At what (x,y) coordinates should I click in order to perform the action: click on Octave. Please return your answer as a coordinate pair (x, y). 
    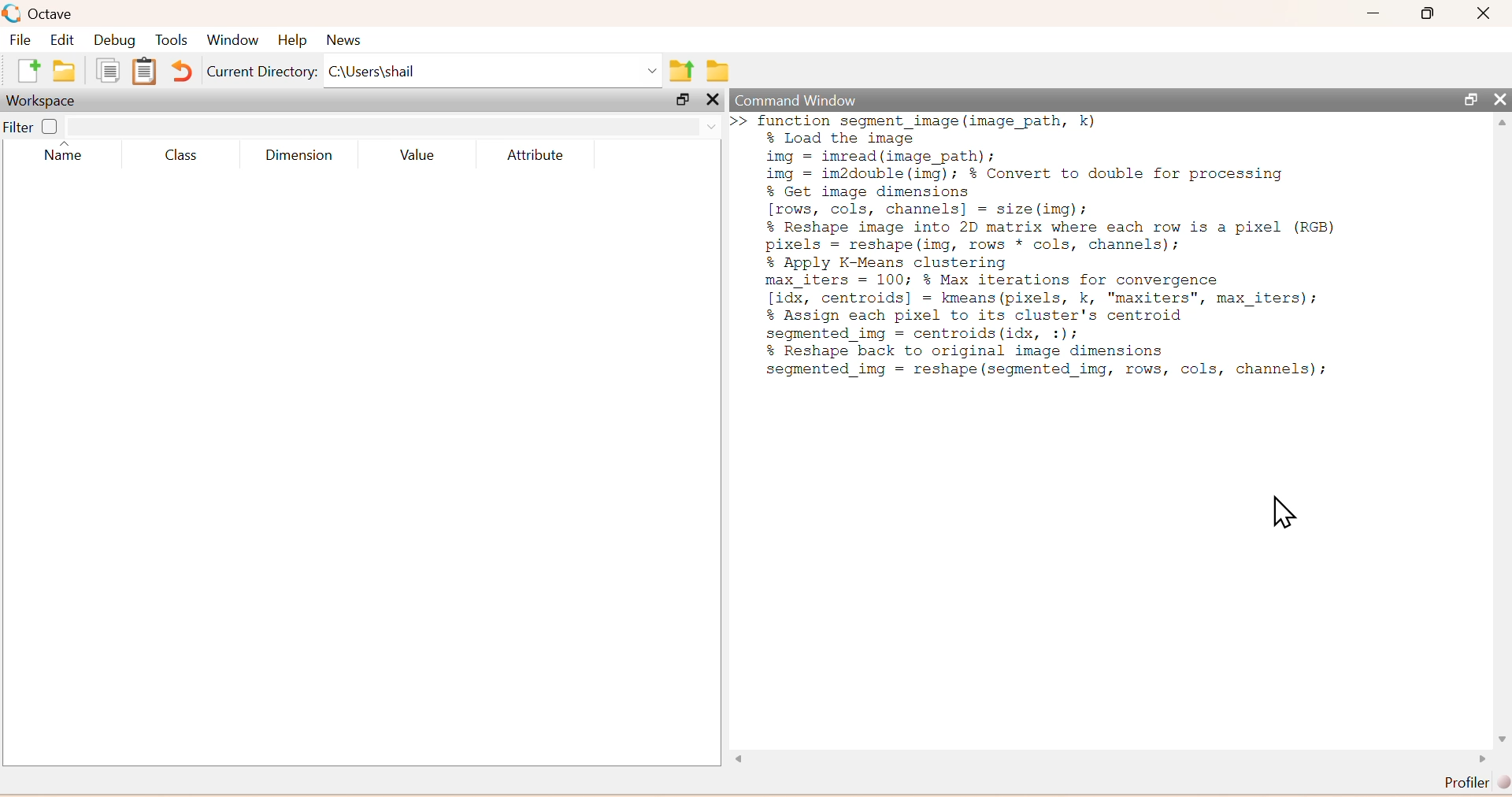
    Looking at the image, I should click on (57, 13).